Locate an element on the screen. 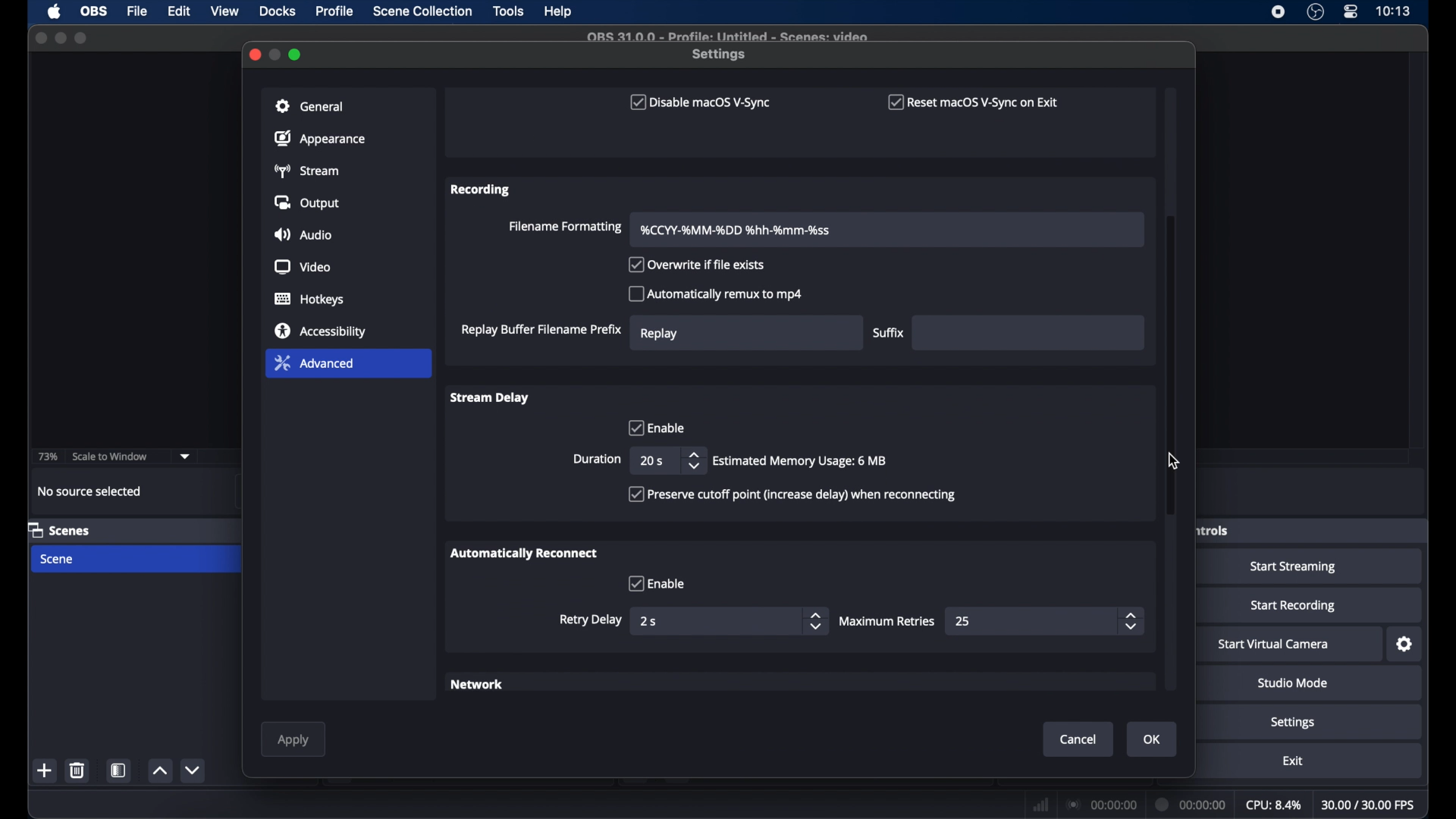  maximum retires is located at coordinates (889, 621).